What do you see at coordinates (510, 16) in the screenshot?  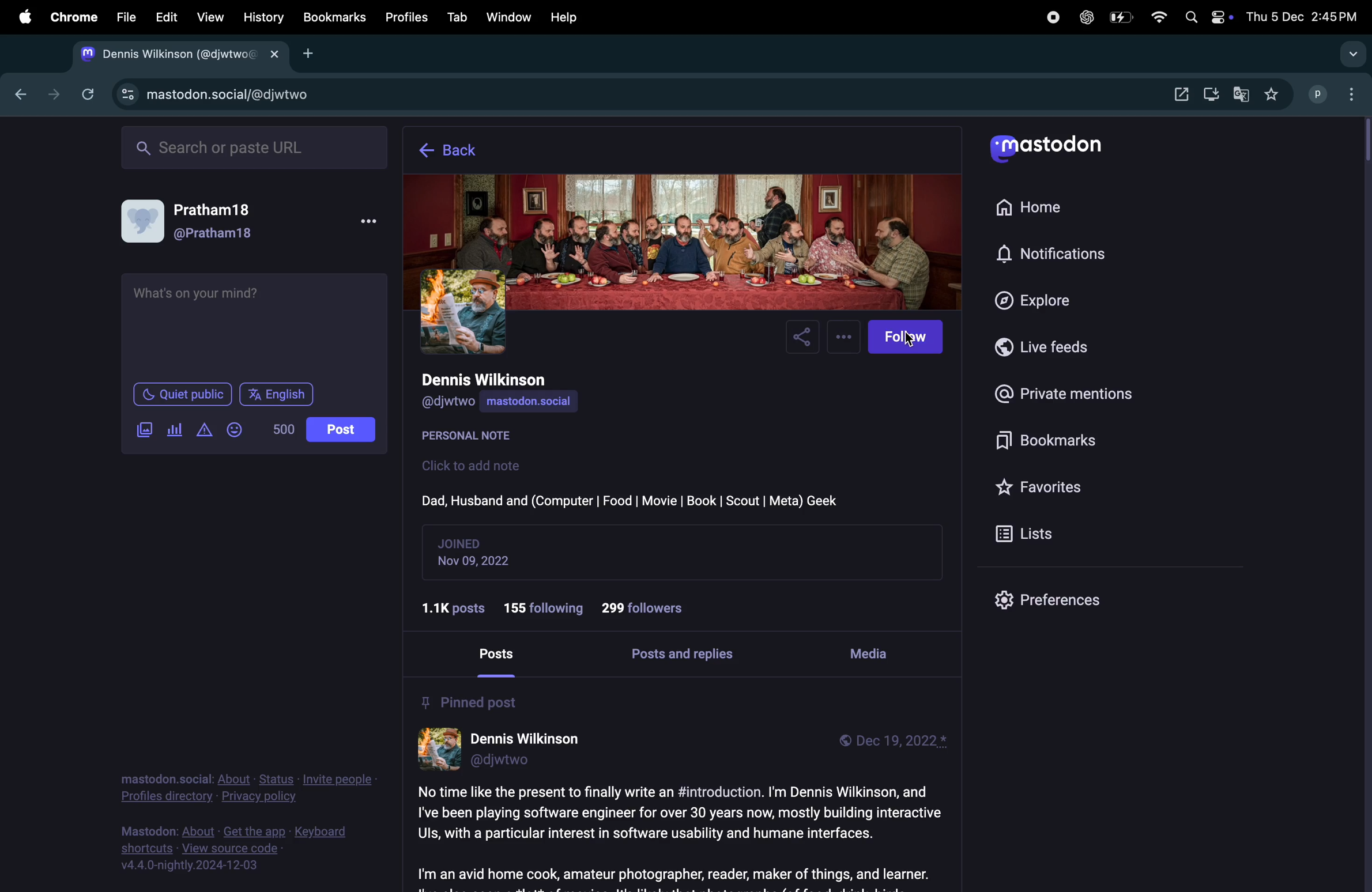 I see `window` at bounding box center [510, 16].